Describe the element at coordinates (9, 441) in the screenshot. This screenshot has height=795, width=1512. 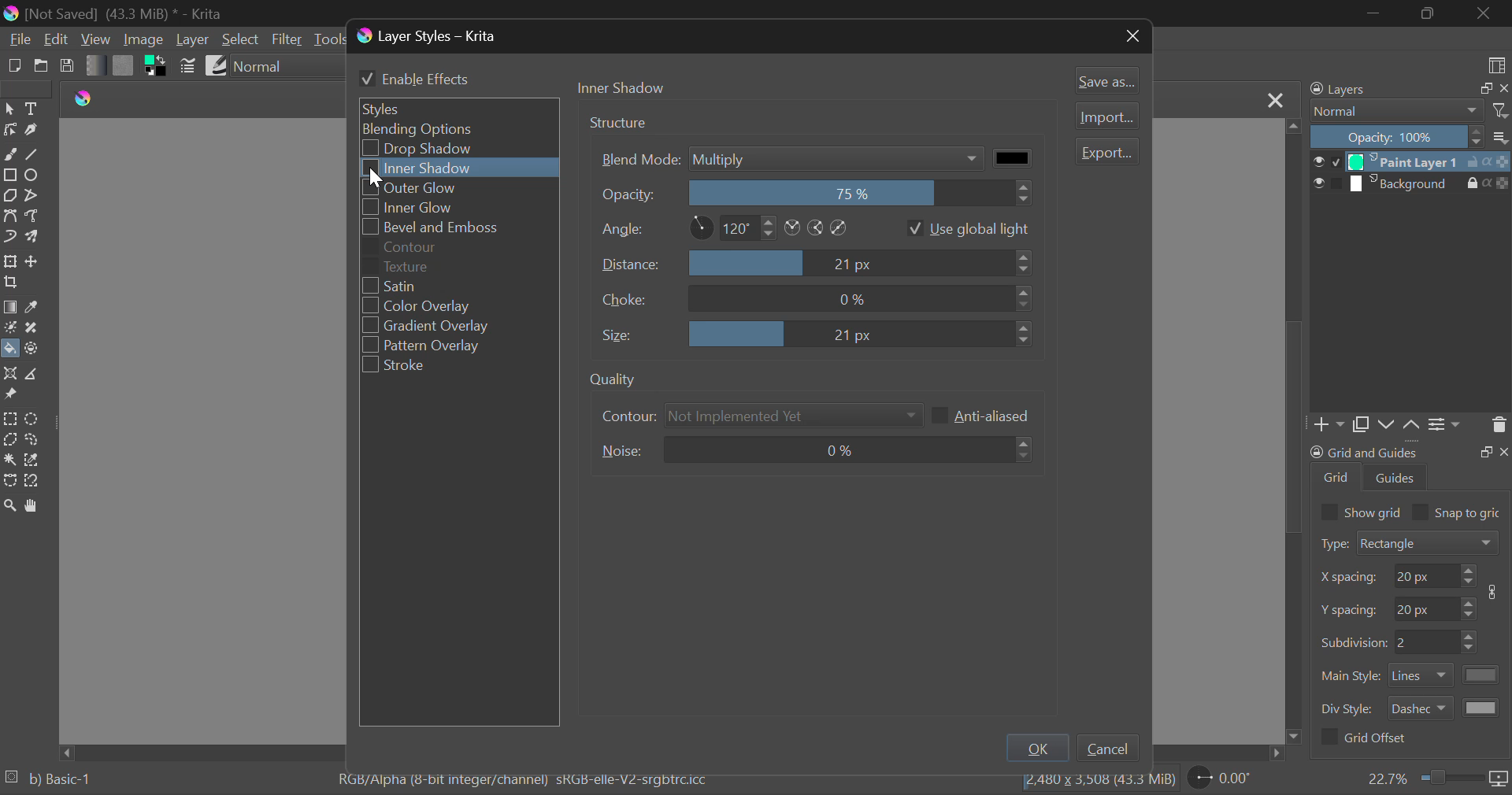
I see `Polygon Selection` at that location.